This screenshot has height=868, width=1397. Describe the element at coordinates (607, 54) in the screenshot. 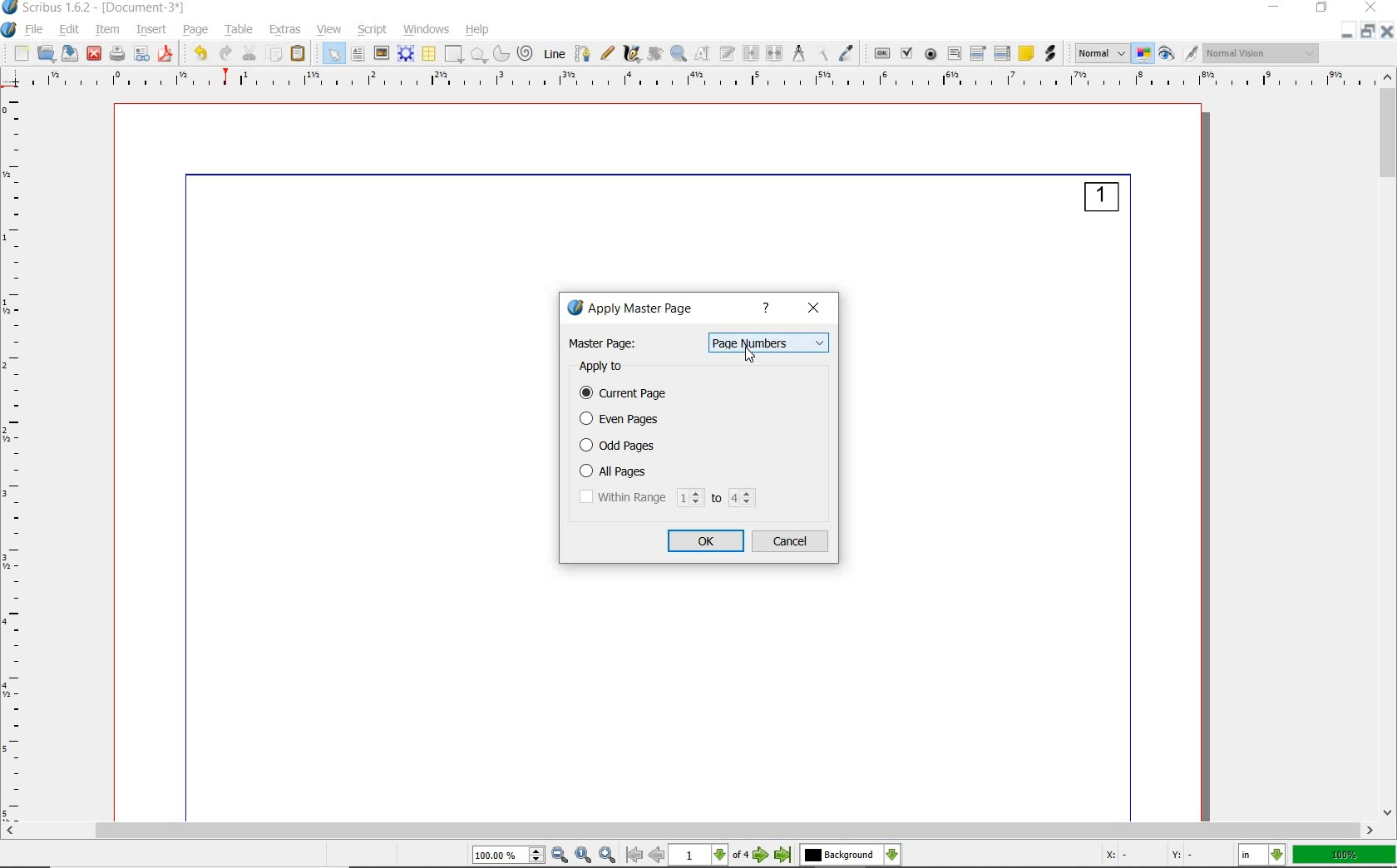

I see `freehand line` at that location.